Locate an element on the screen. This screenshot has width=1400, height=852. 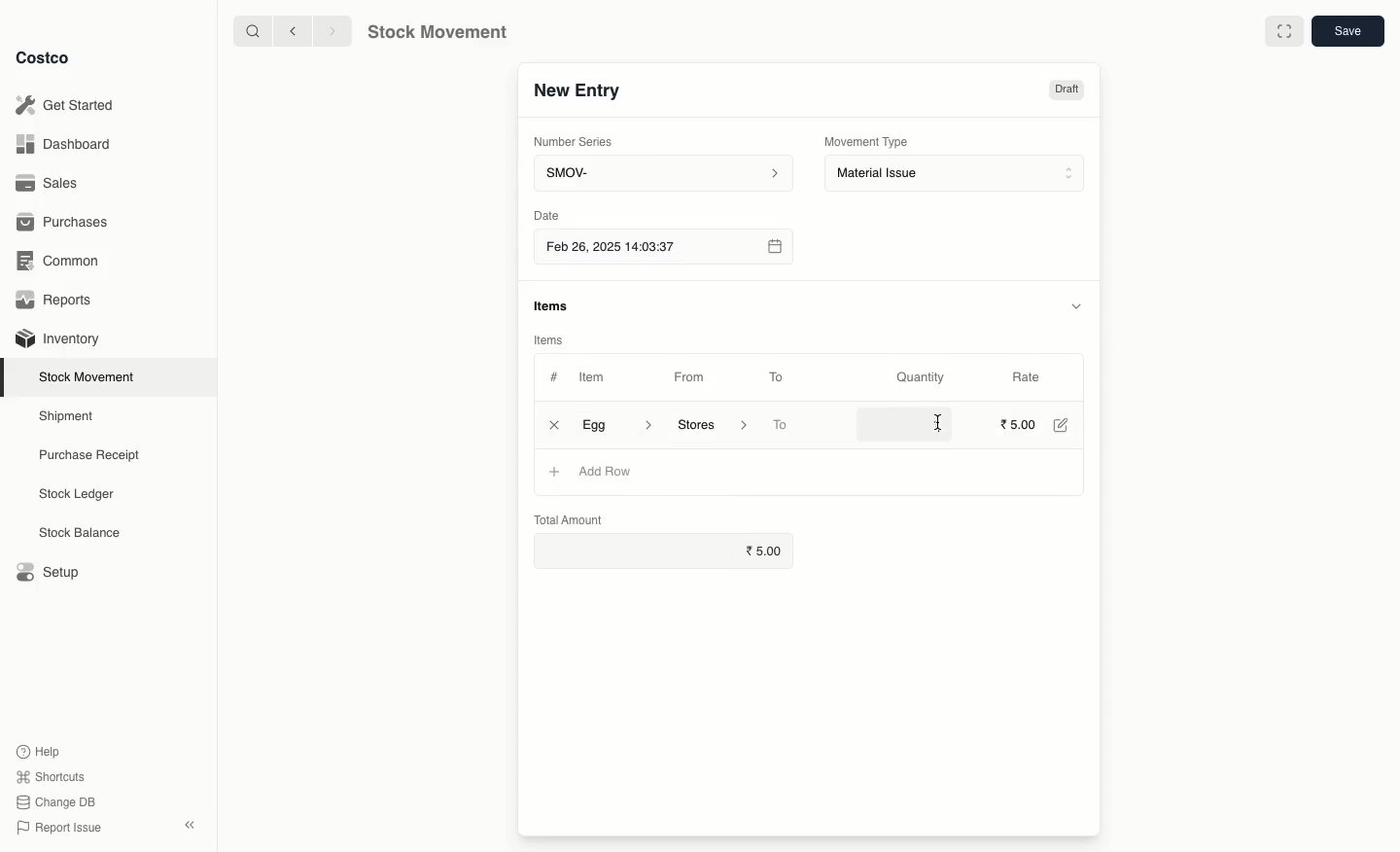
Items is located at coordinates (546, 339).